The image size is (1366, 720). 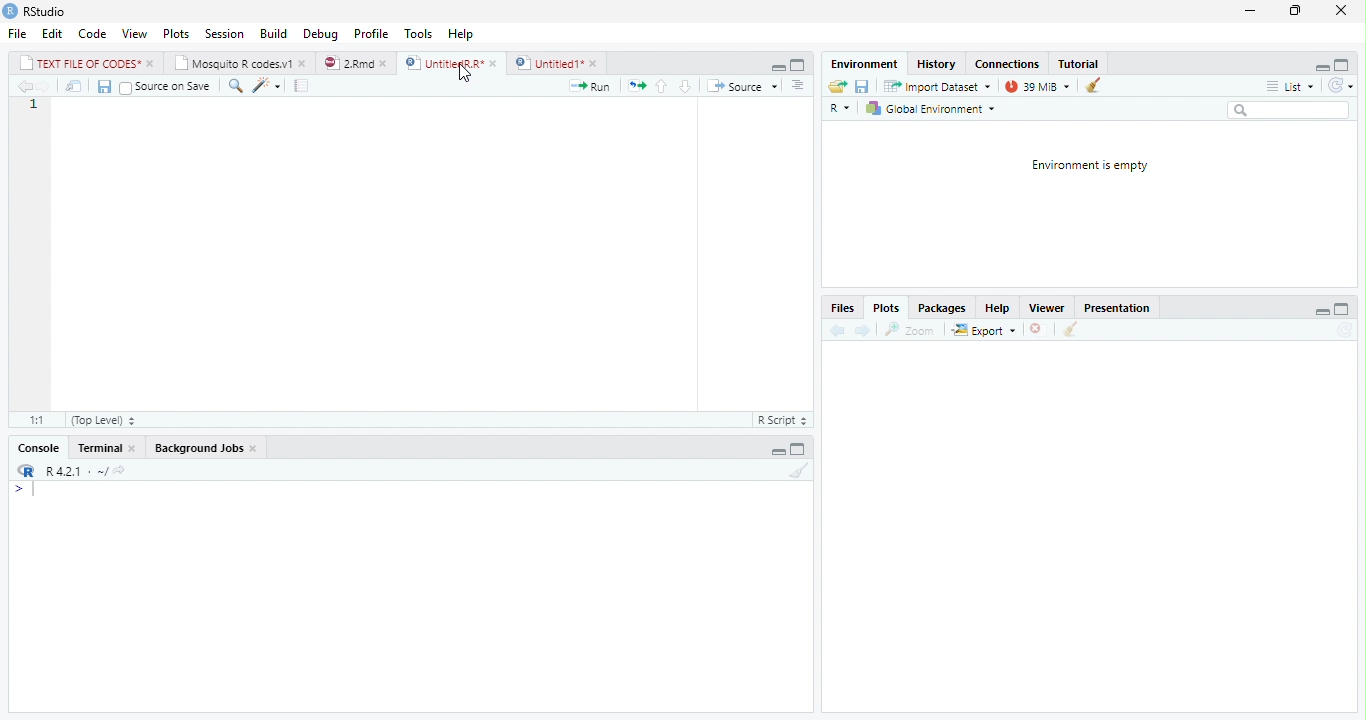 What do you see at coordinates (795, 471) in the screenshot?
I see `Clean` at bounding box center [795, 471].